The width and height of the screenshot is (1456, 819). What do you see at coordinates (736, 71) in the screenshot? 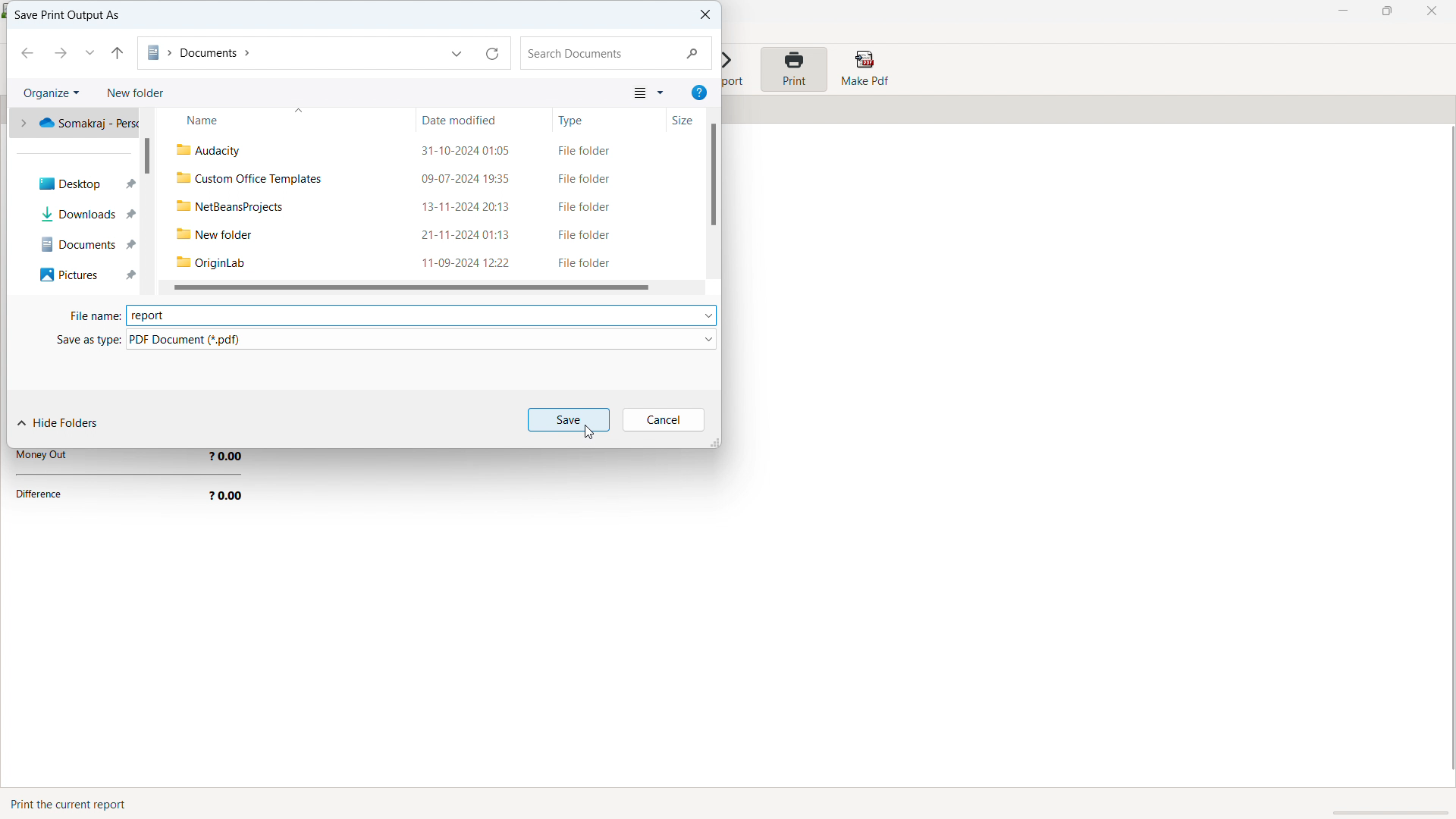
I see `export` at bounding box center [736, 71].